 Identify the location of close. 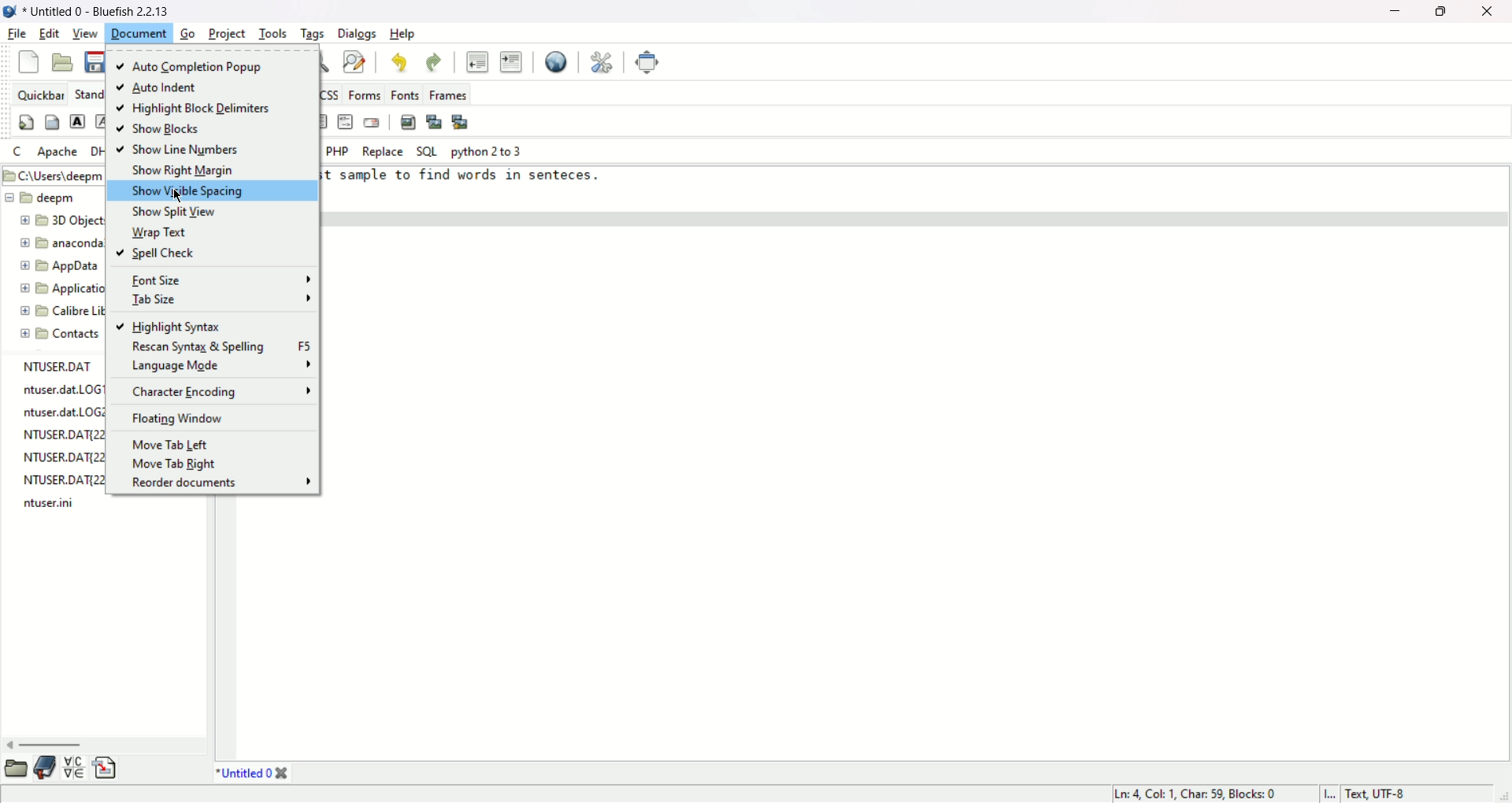
(1488, 12).